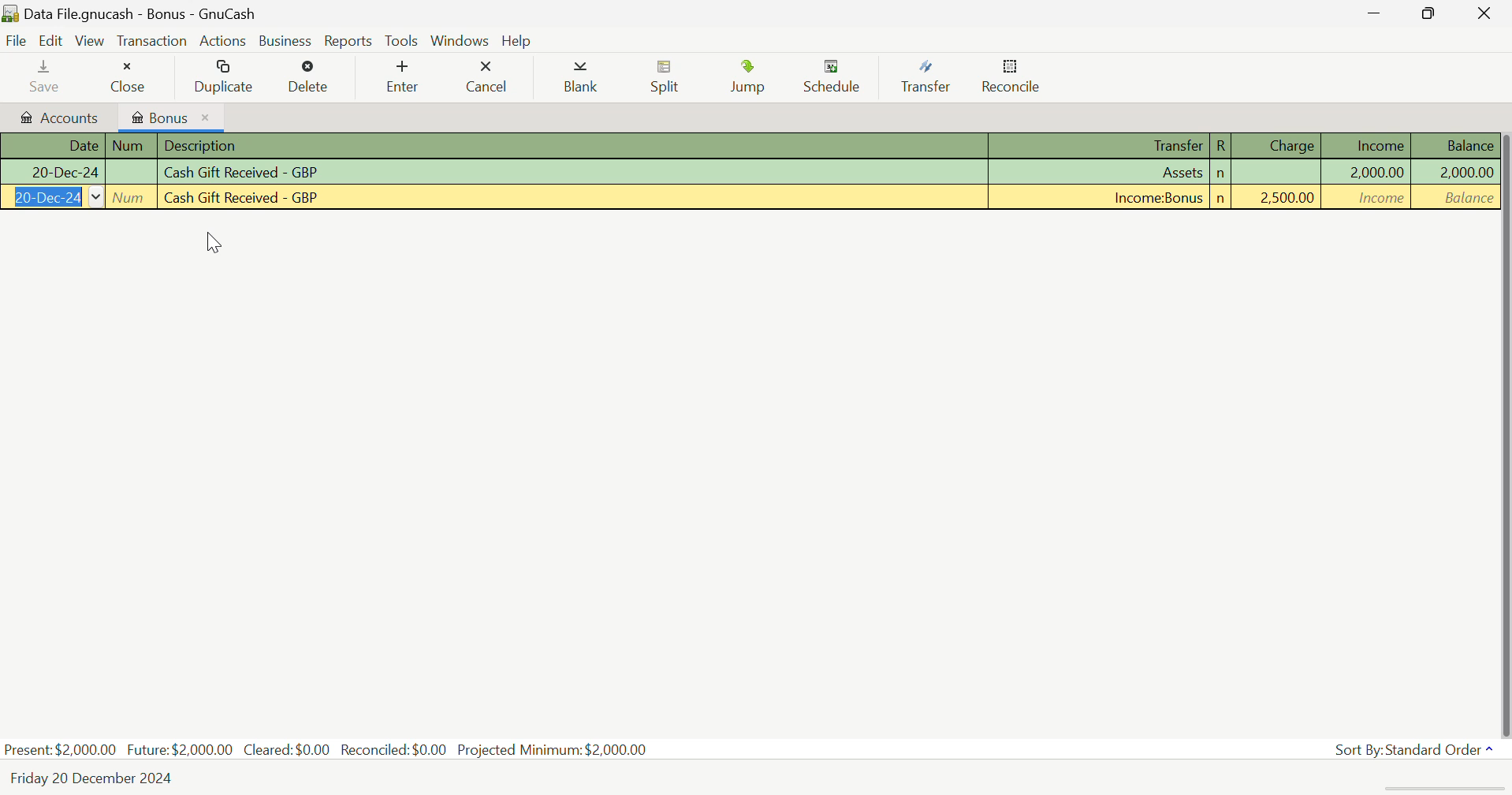 The width and height of the screenshot is (1512, 795). I want to click on Balance, so click(1455, 197).